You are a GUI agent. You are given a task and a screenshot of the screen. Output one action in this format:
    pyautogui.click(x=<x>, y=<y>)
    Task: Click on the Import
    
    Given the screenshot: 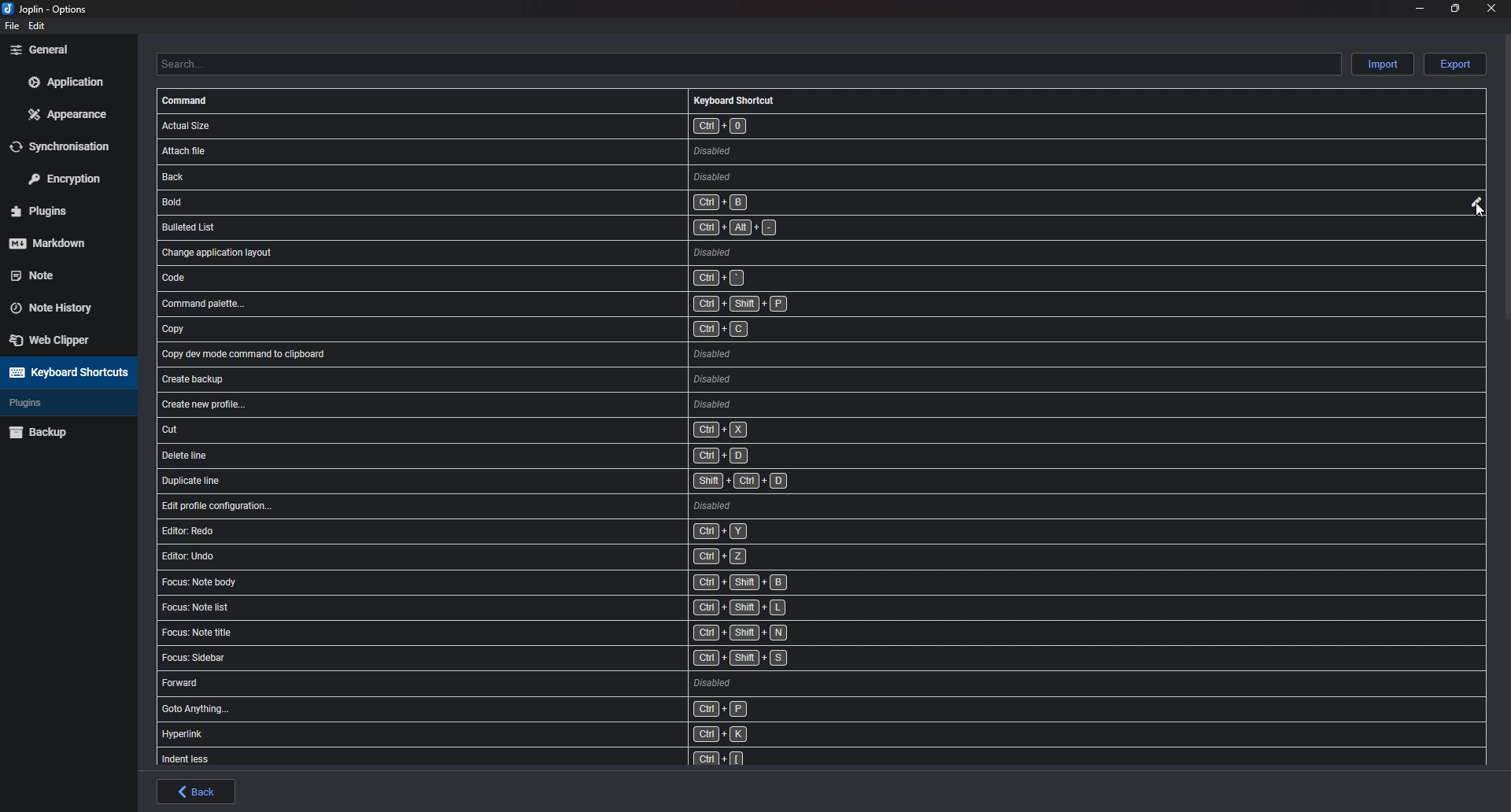 What is the action you would take?
    pyautogui.click(x=1384, y=63)
    